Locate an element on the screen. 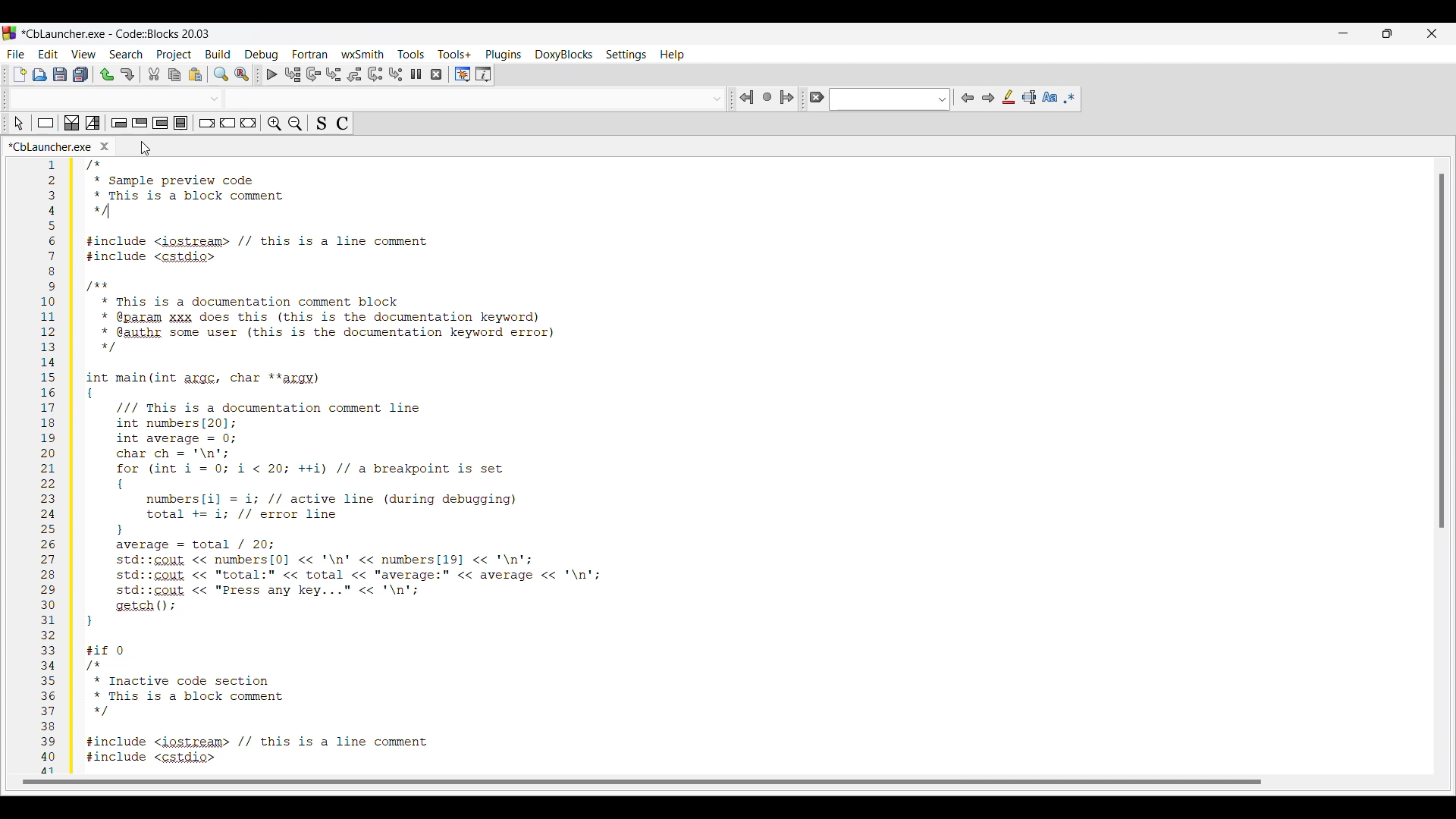 The image size is (1456, 819). Cursor is located at coordinates (146, 146).